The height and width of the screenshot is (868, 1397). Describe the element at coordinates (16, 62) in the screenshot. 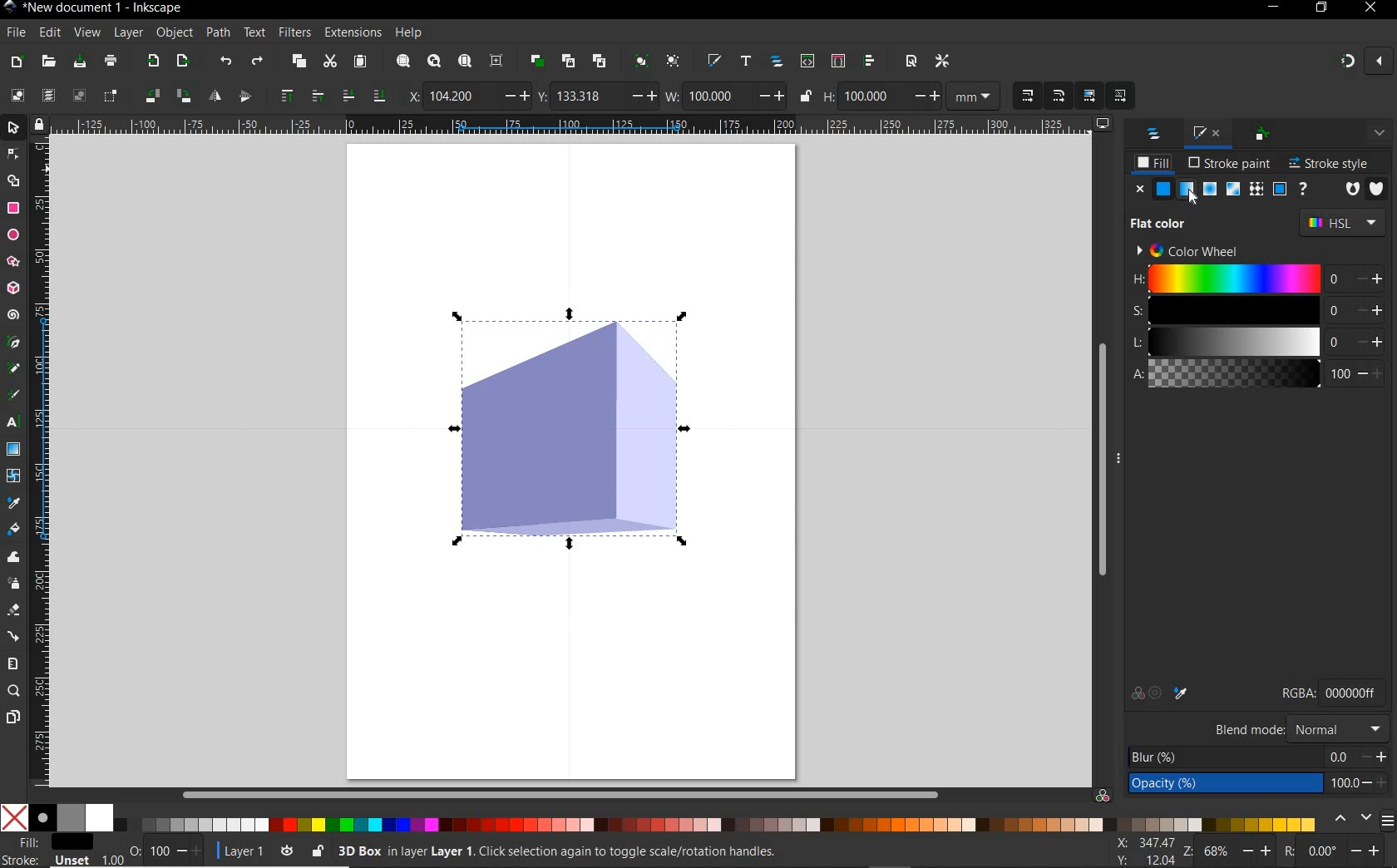

I see `NEW` at that location.